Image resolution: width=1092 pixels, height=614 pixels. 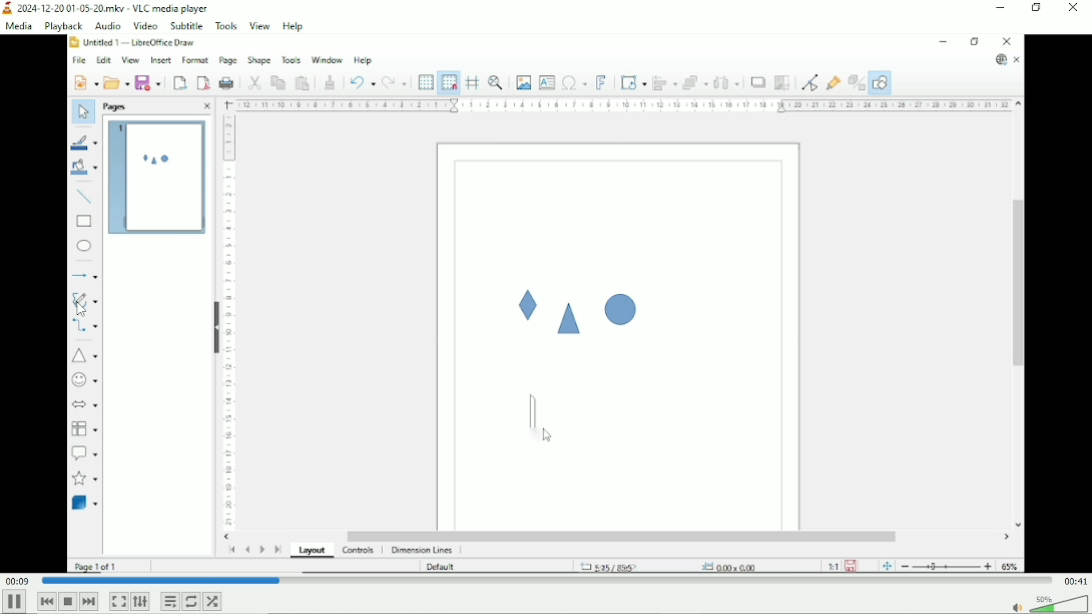 I want to click on Audio, so click(x=107, y=26).